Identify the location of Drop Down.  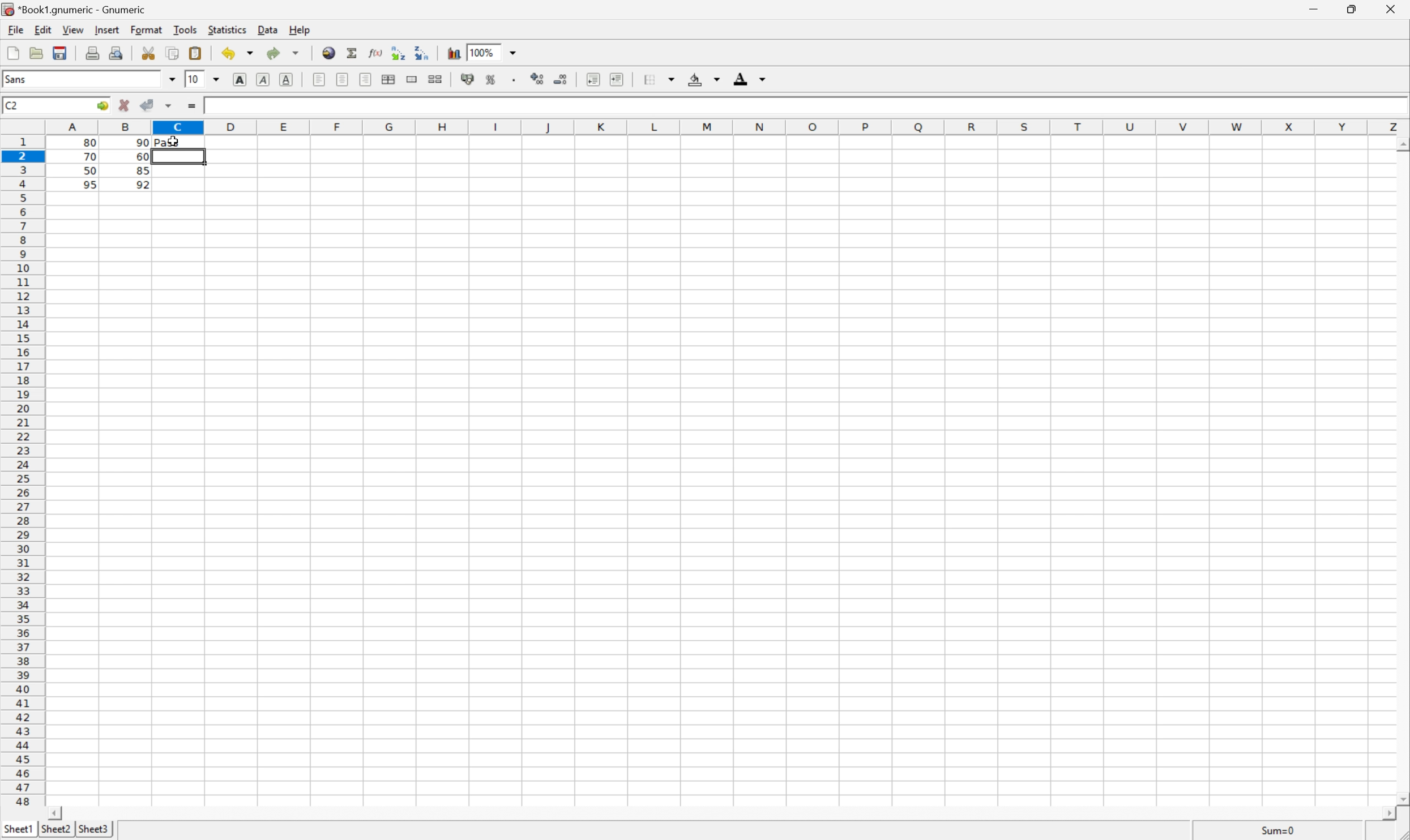
(248, 54).